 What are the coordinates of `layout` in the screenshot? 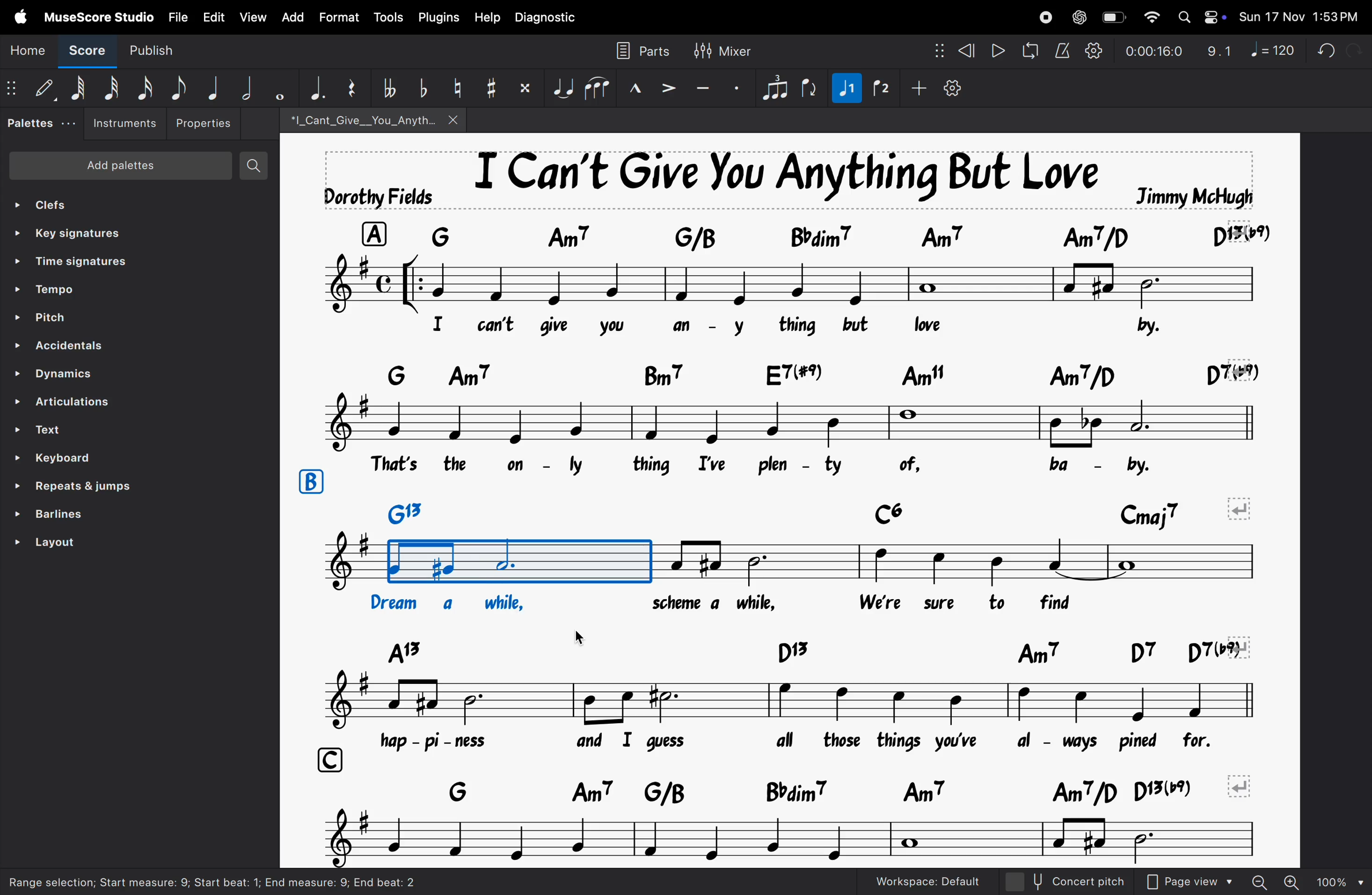 It's located at (49, 541).